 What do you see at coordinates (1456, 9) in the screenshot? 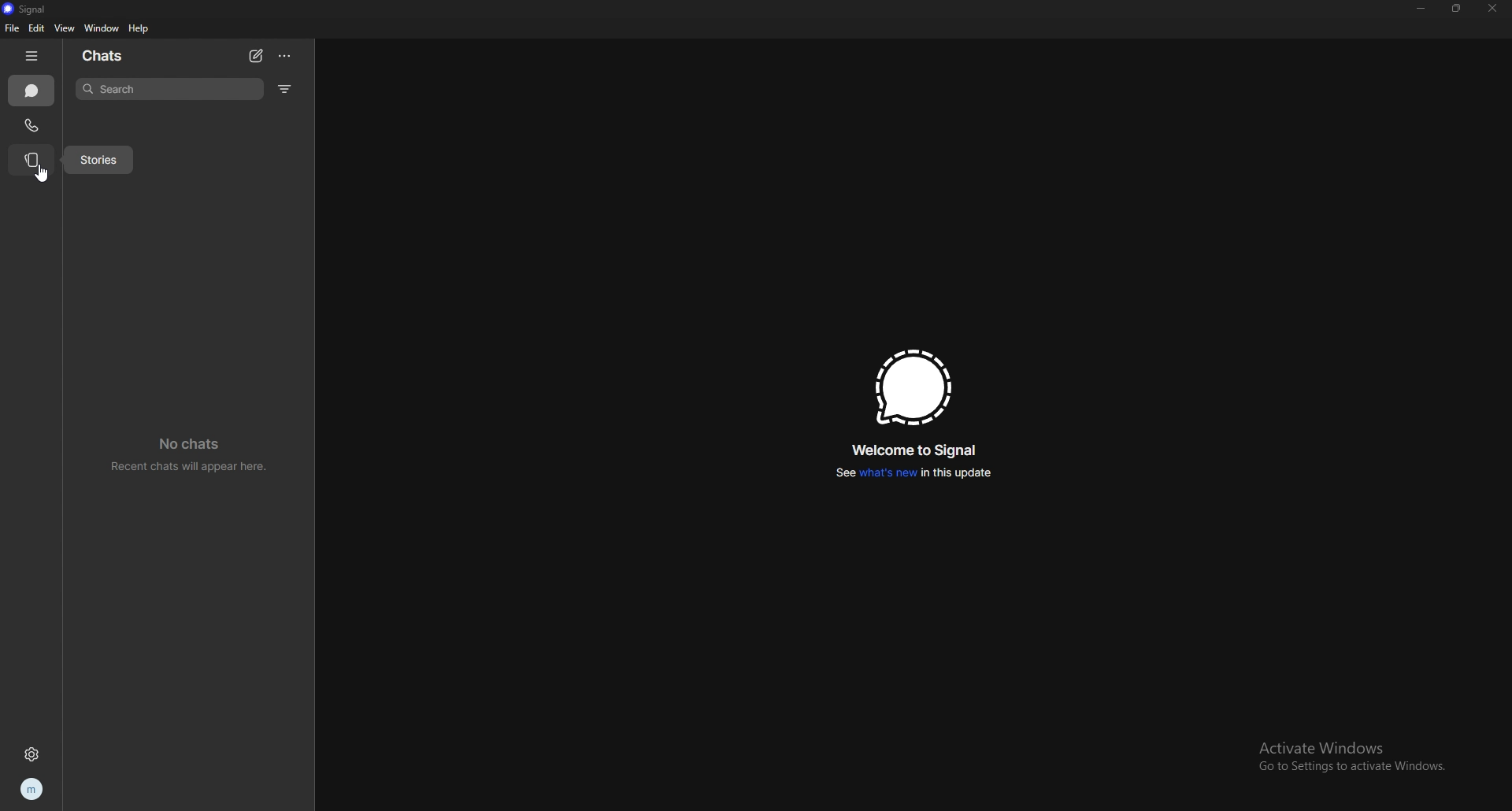
I see `resize` at bounding box center [1456, 9].